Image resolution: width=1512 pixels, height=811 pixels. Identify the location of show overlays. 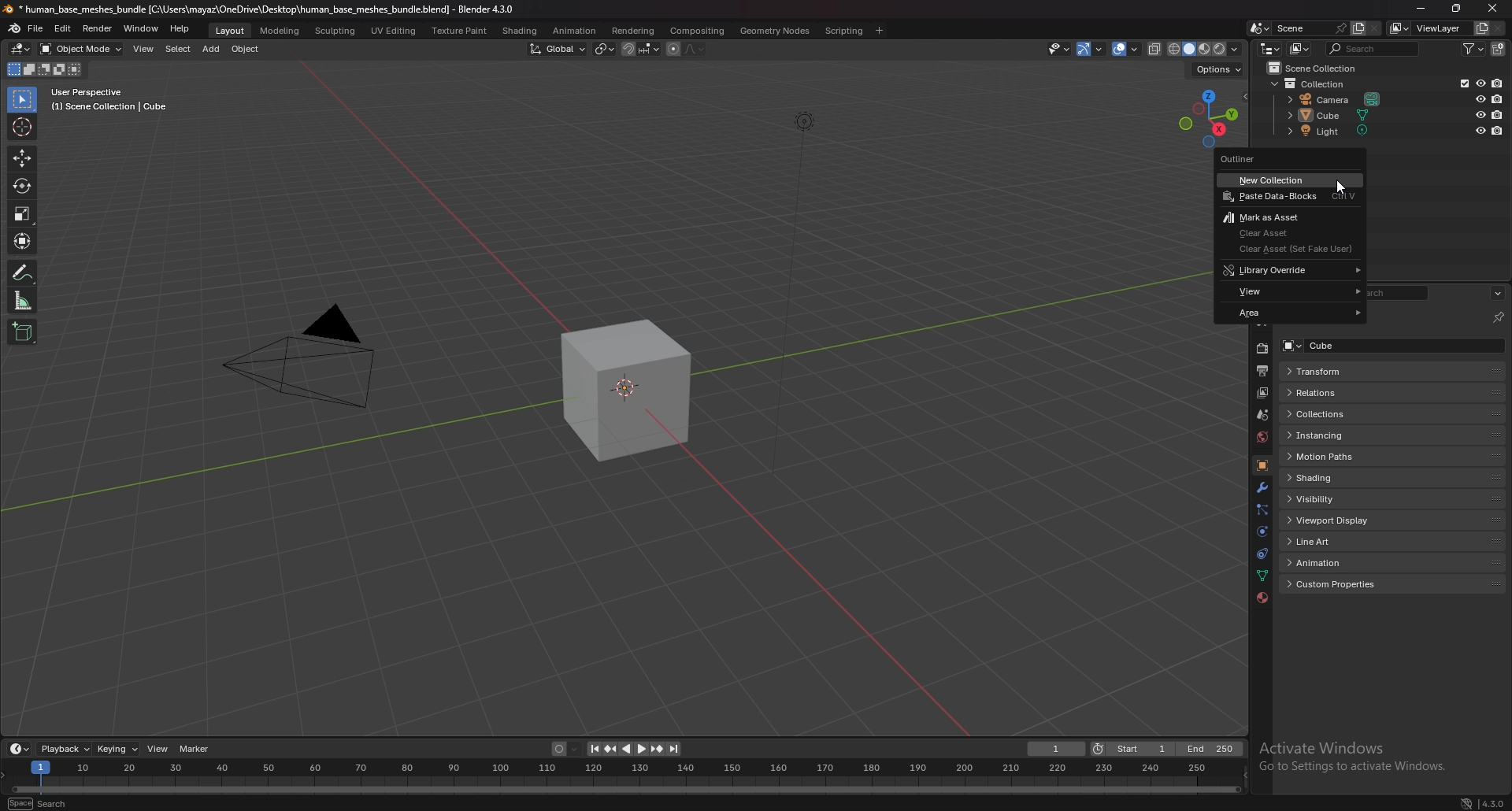
(1127, 48).